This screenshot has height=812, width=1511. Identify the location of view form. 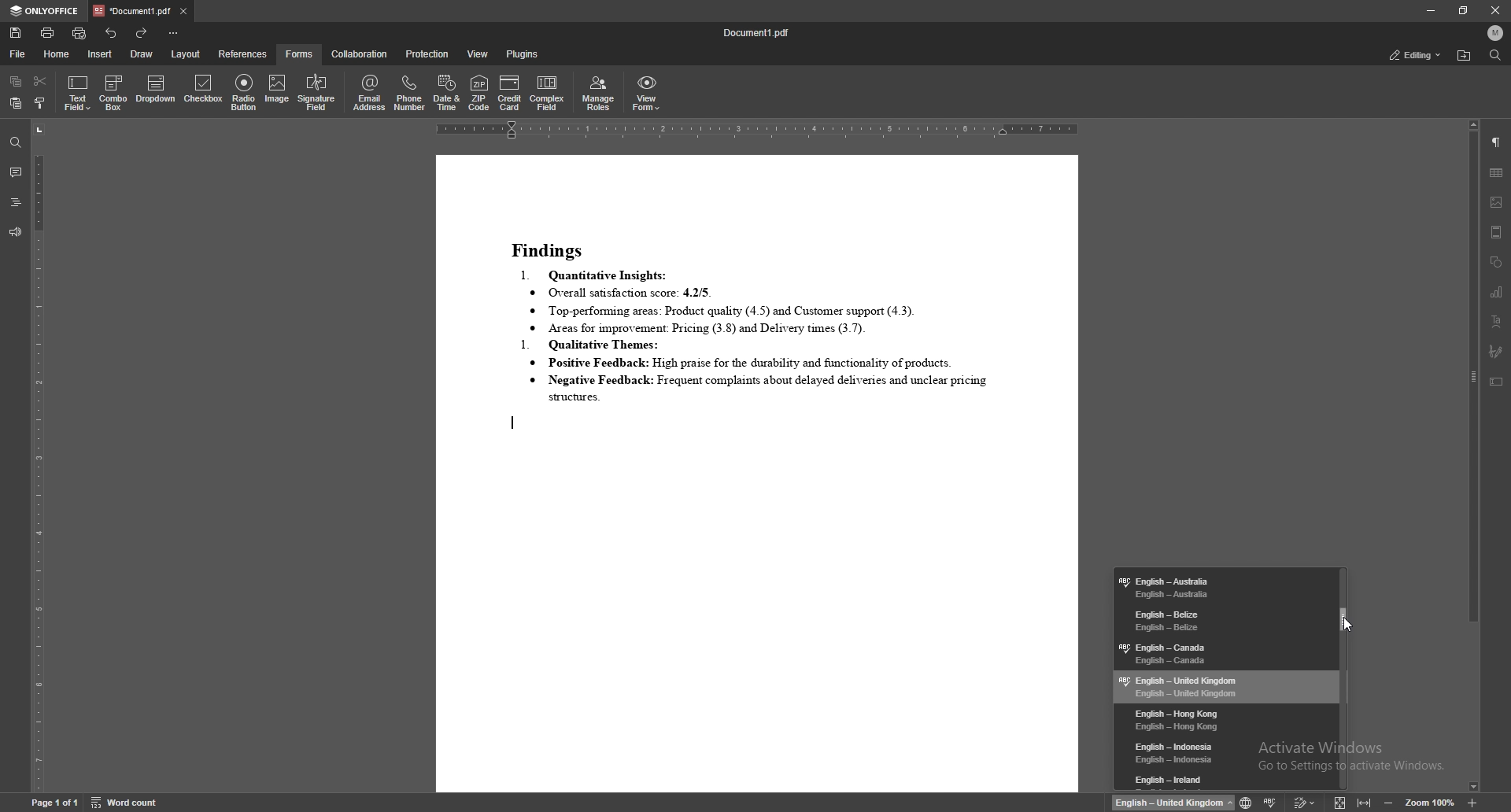
(647, 94).